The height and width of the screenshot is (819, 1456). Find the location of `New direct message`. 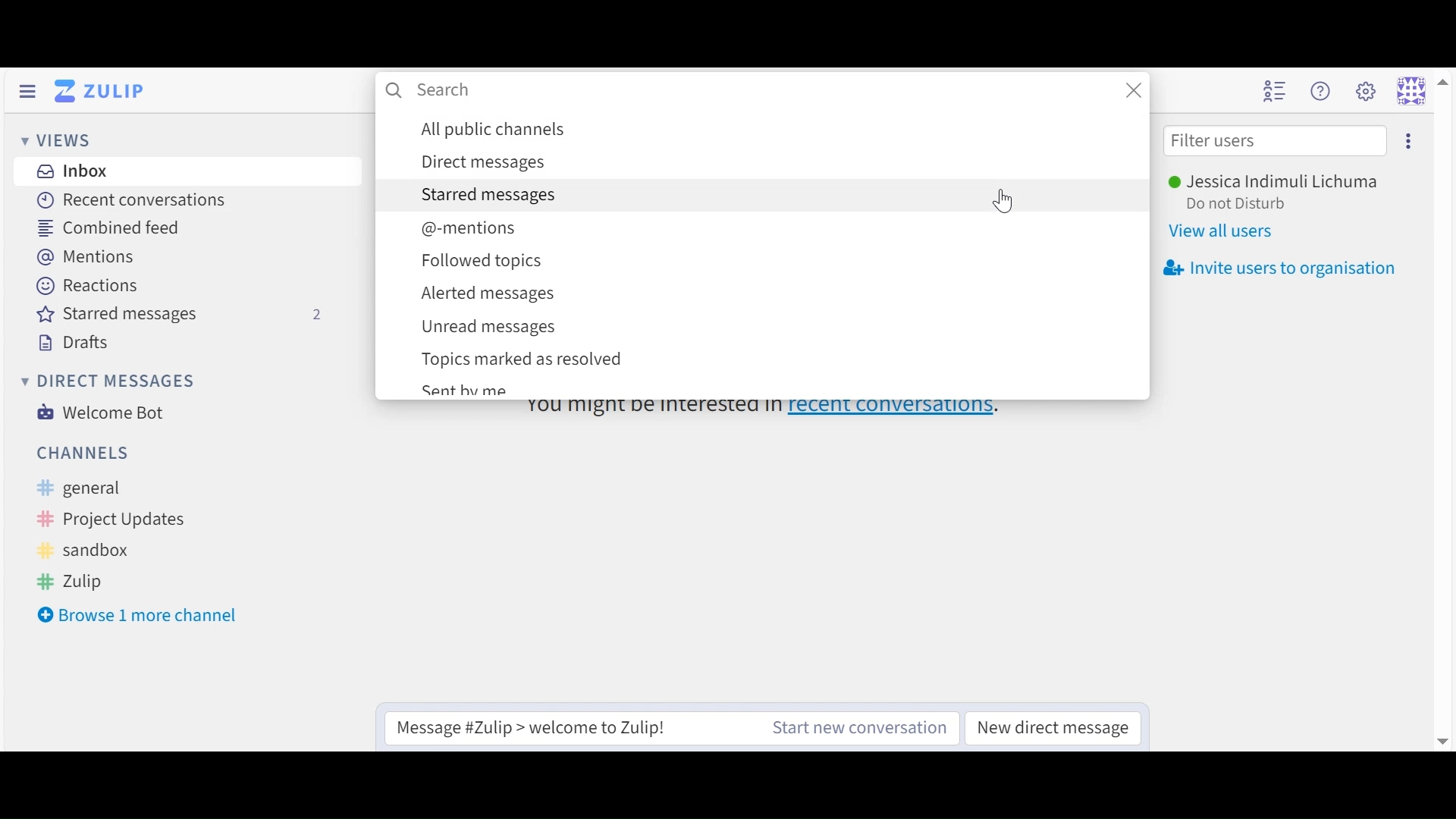

New direct message is located at coordinates (1053, 726).